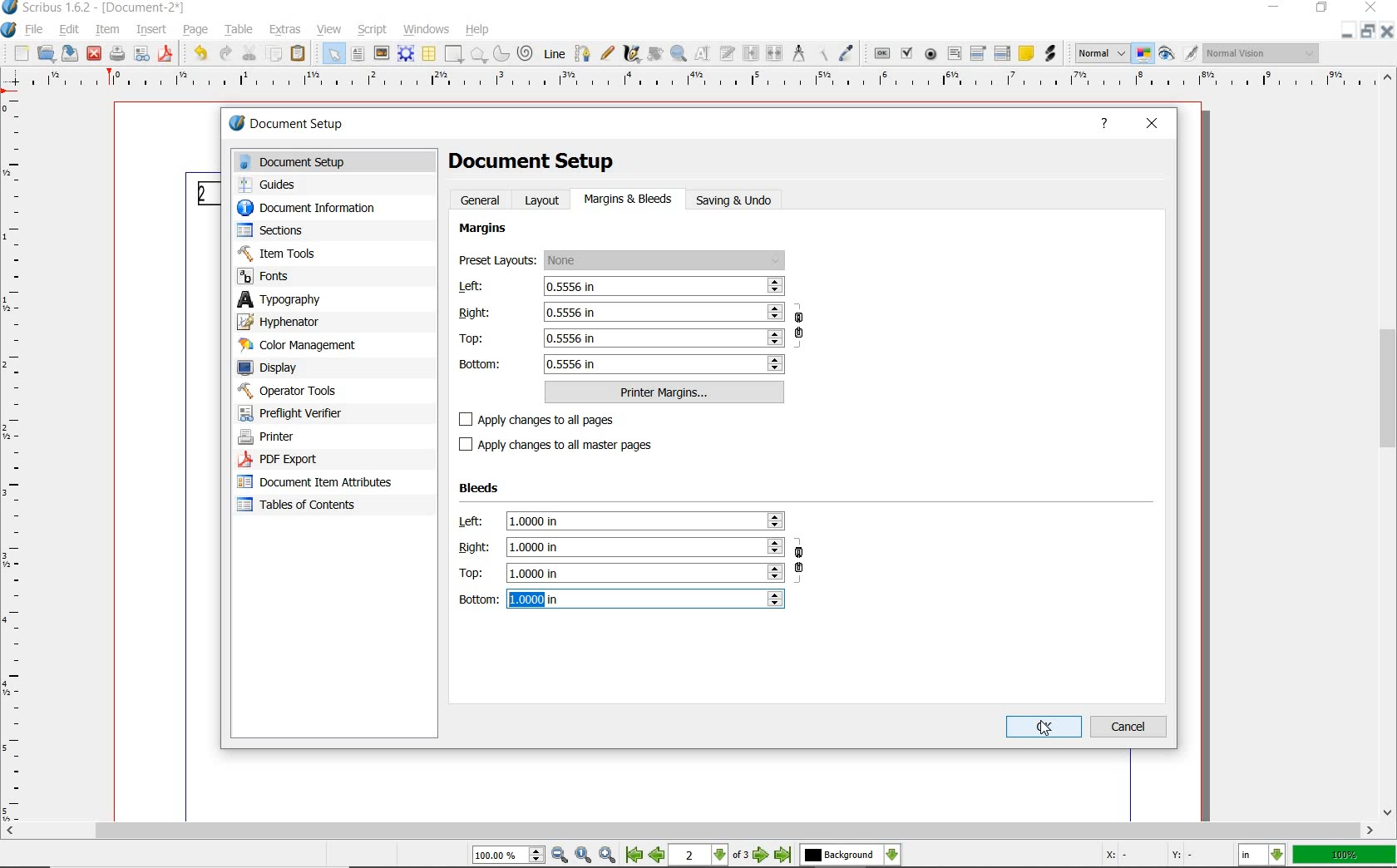 Image resolution: width=1397 pixels, height=868 pixels. Describe the element at coordinates (629, 200) in the screenshot. I see `margins & bleeds` at that location.